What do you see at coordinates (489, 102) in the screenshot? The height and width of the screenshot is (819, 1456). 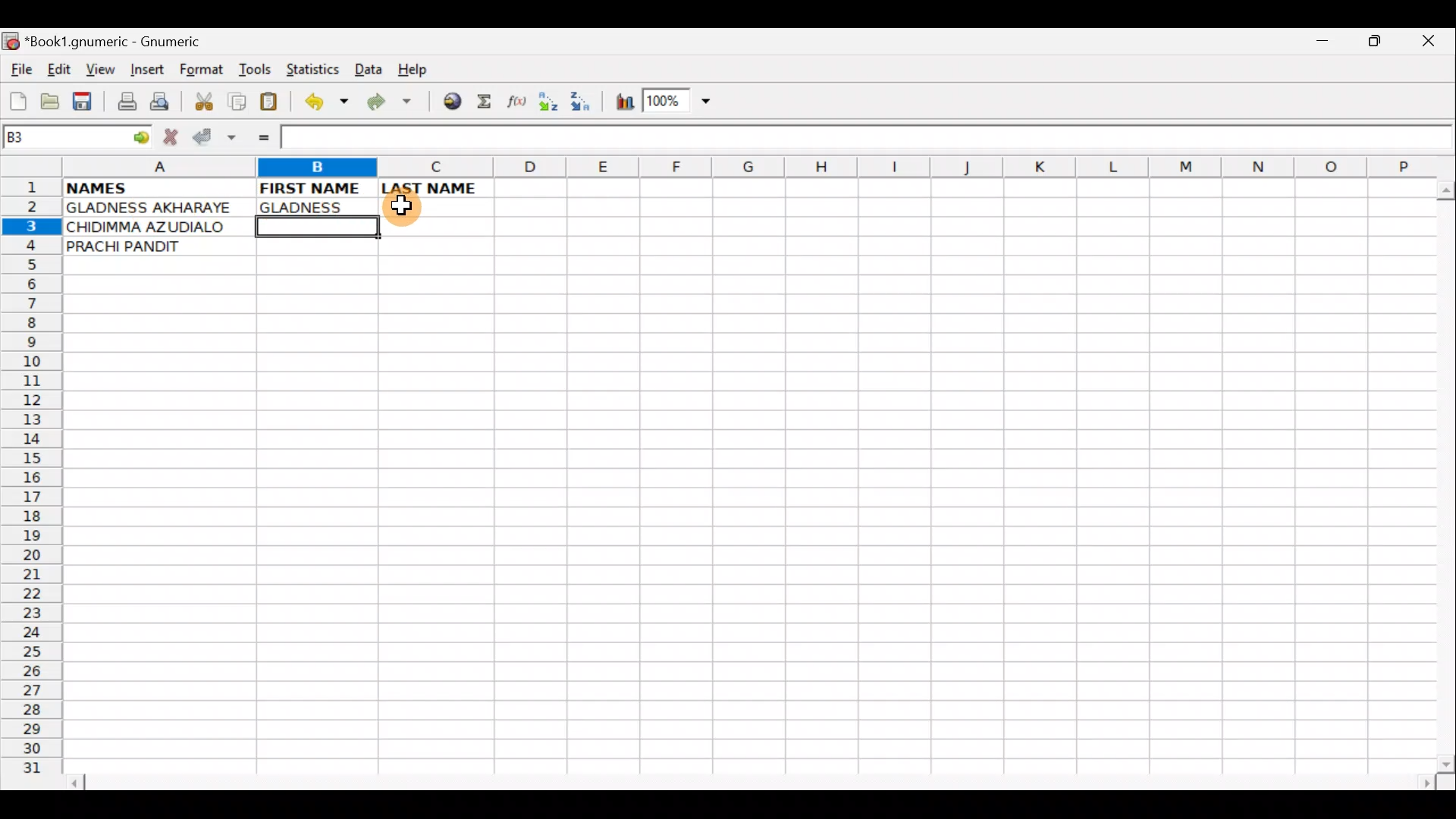 I see `Sum in the current cell` at bounding box center [489, 102].